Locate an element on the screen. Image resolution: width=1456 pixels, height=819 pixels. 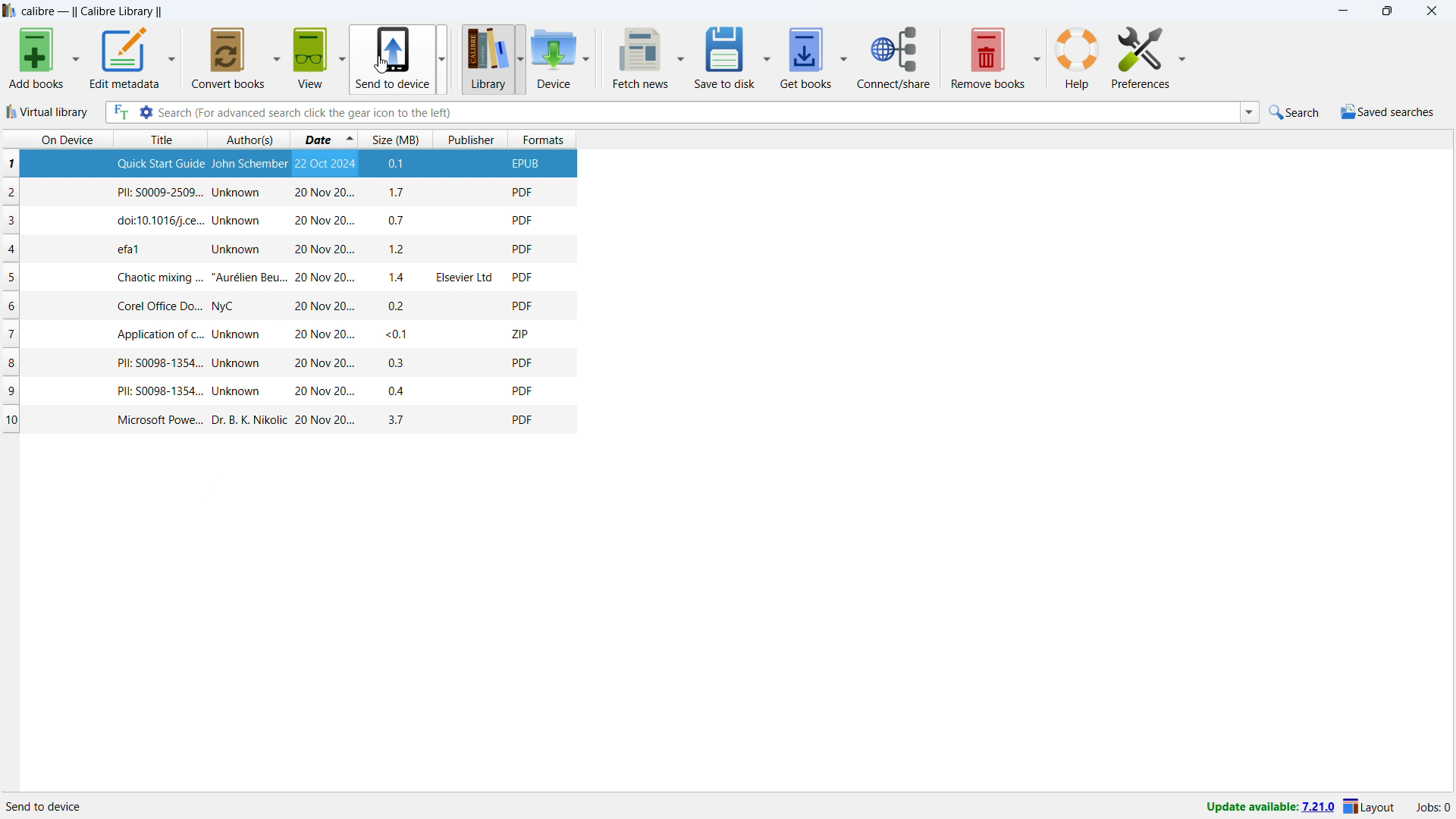
sort by formats is located at coordinates (544, 139).